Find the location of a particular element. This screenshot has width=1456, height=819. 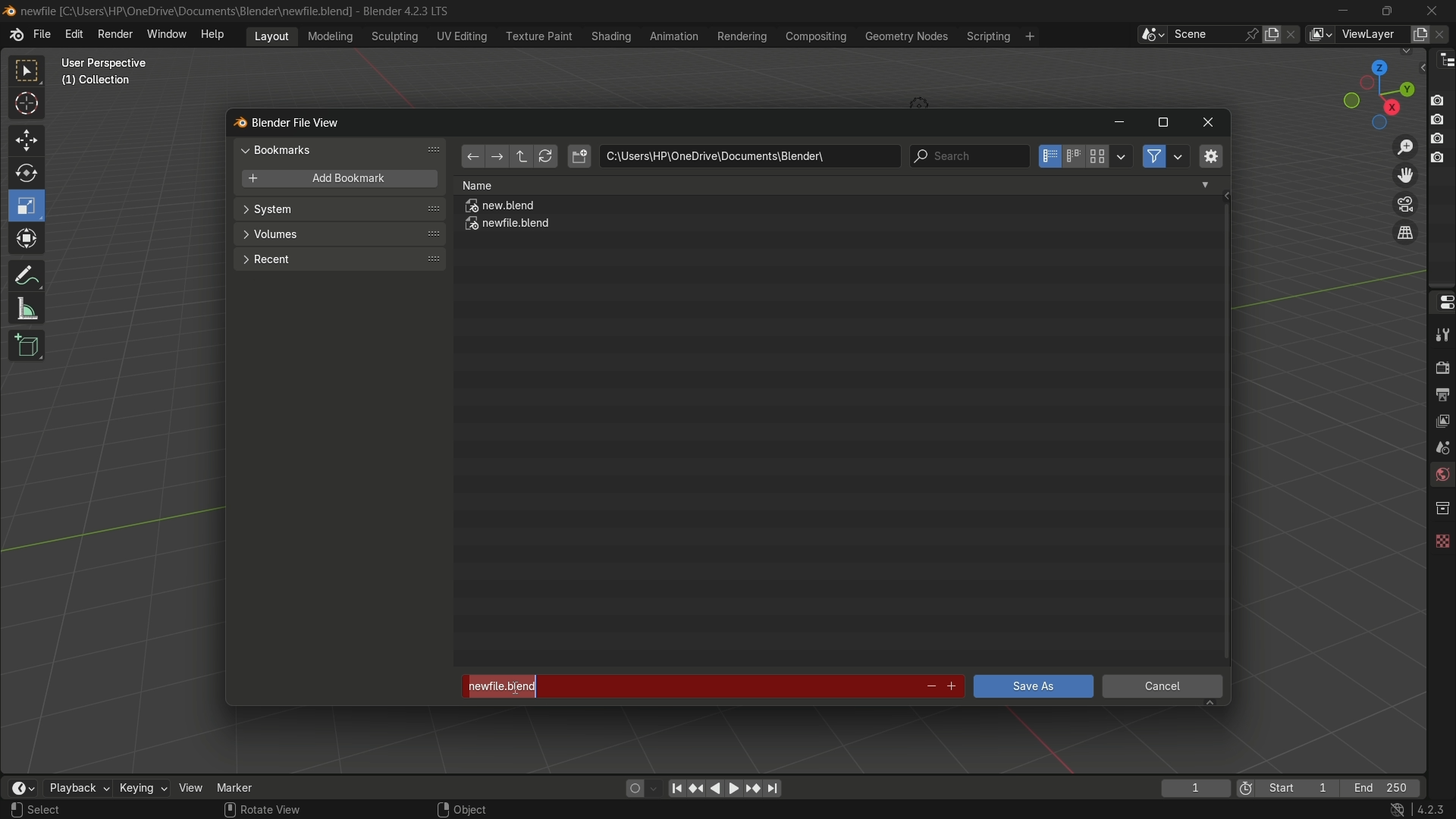

decrement number in file name is located at coordinates (929, 688).